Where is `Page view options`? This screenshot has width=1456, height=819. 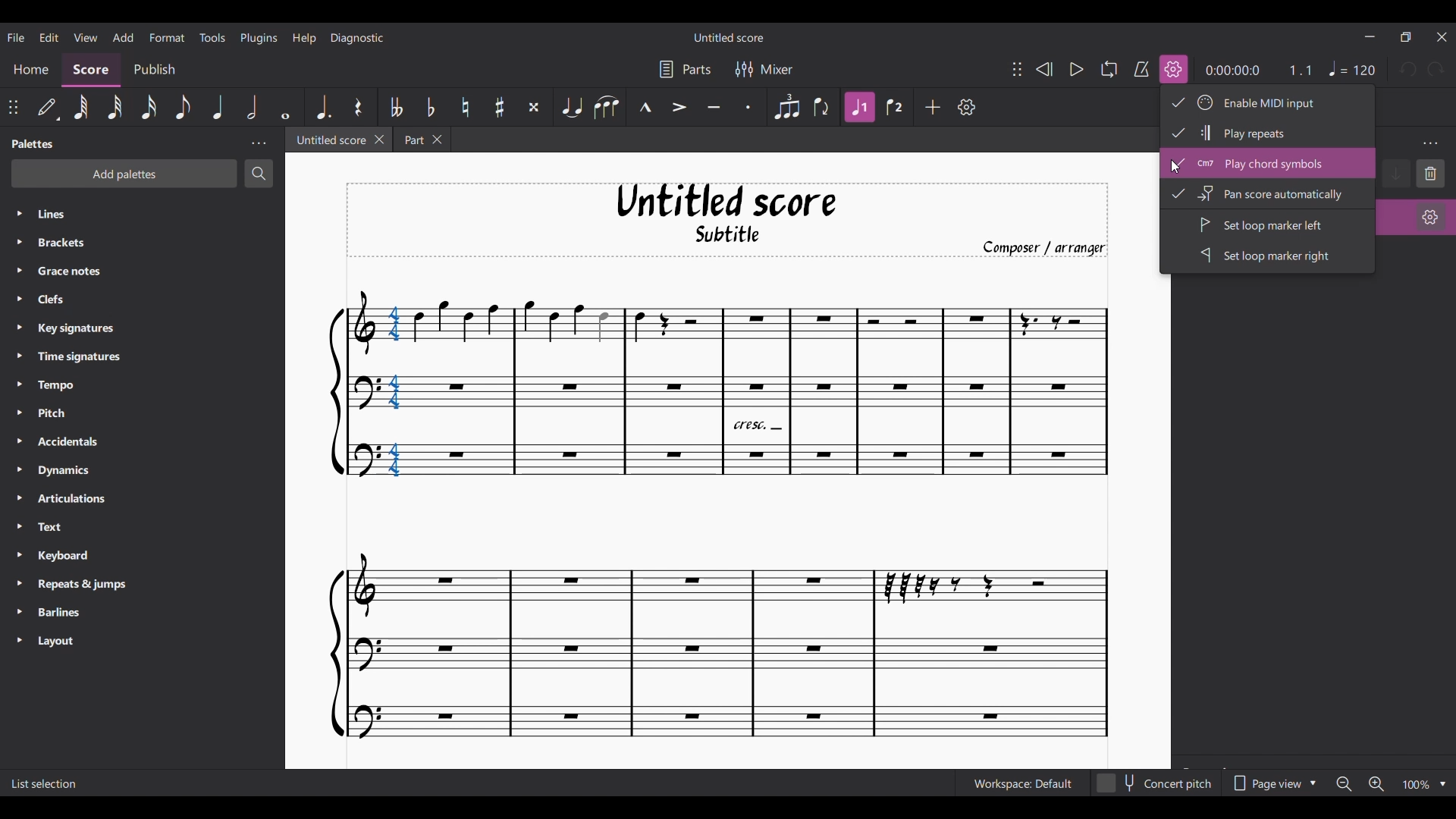 Page view options is located at coordinates (1272, 783).